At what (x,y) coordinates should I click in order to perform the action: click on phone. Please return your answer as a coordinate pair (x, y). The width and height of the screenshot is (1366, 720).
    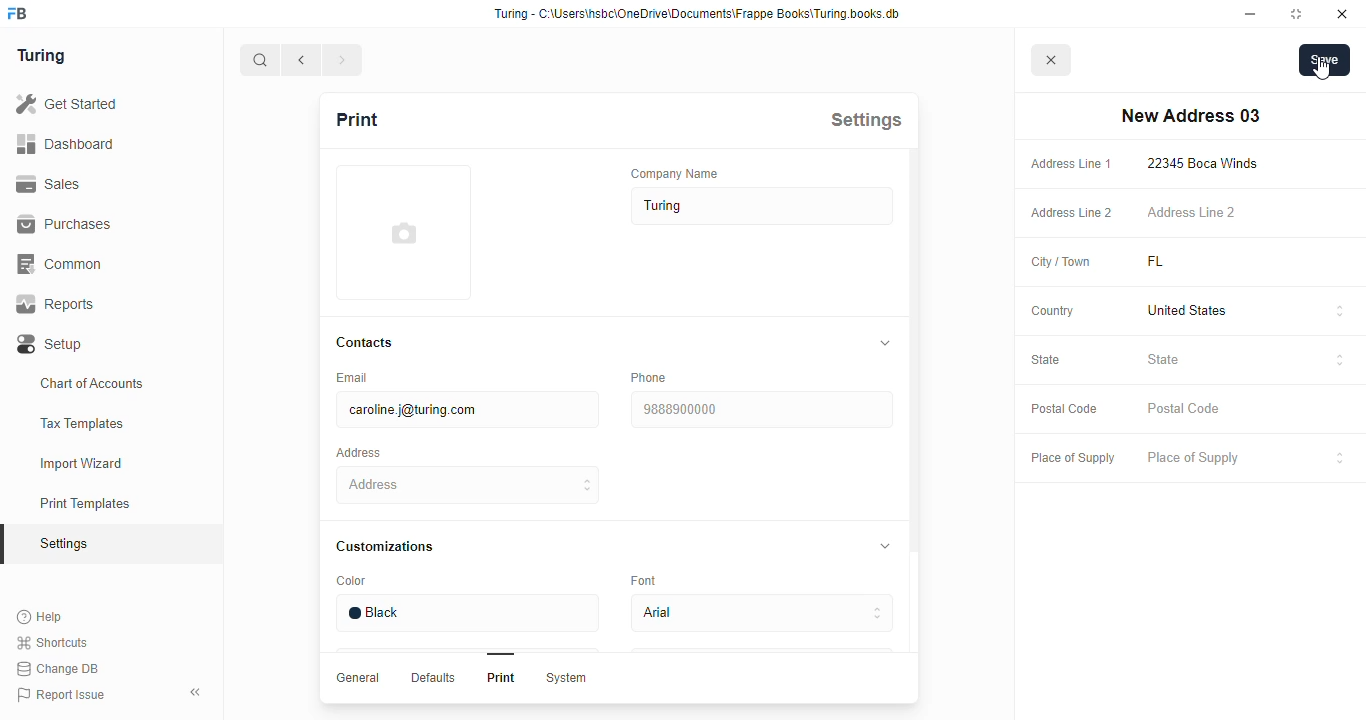
    Looking at the image, I should click on (648, 377).